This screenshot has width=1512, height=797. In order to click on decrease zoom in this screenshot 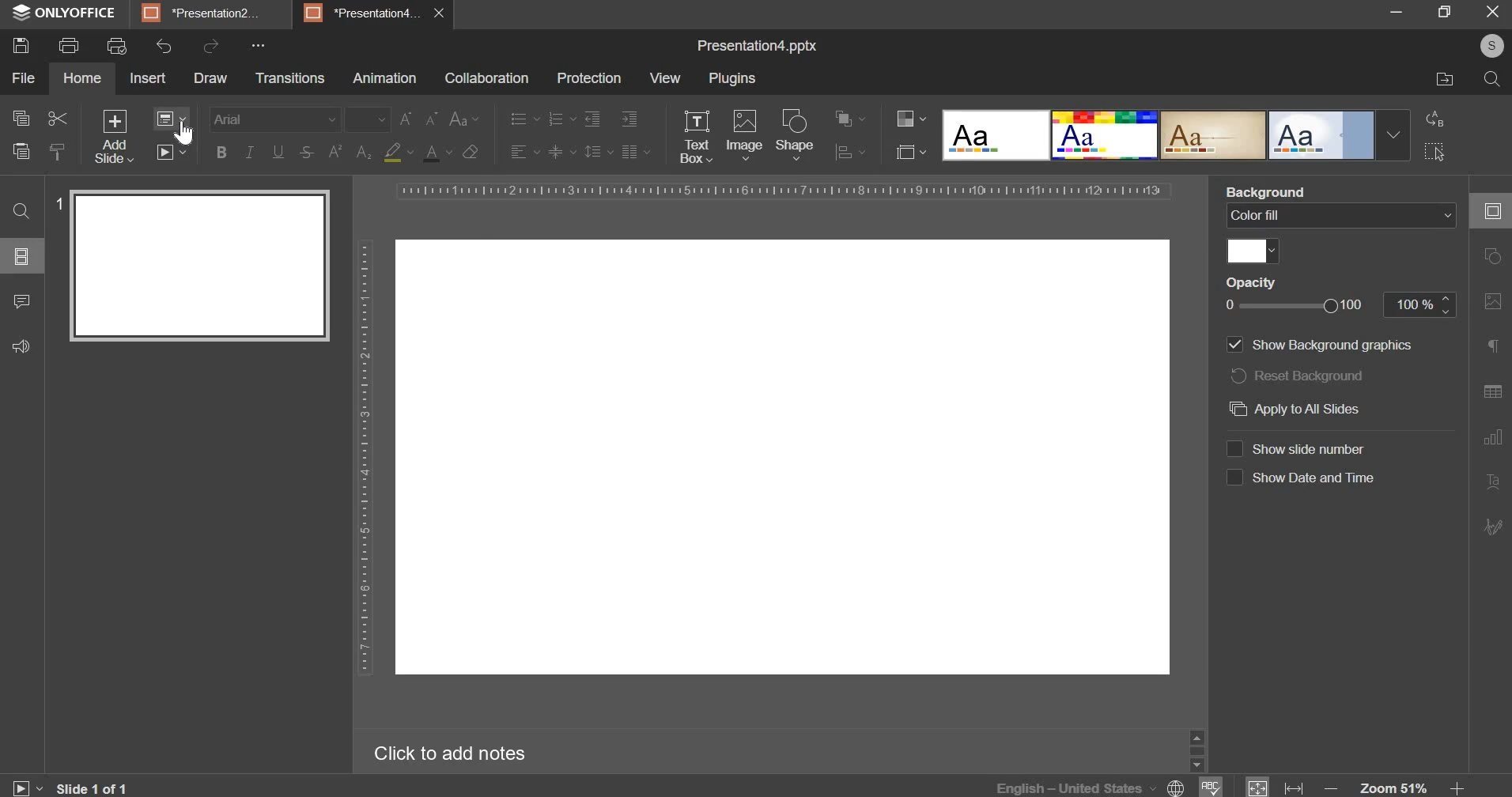, I will do `click(1334, 788)`.